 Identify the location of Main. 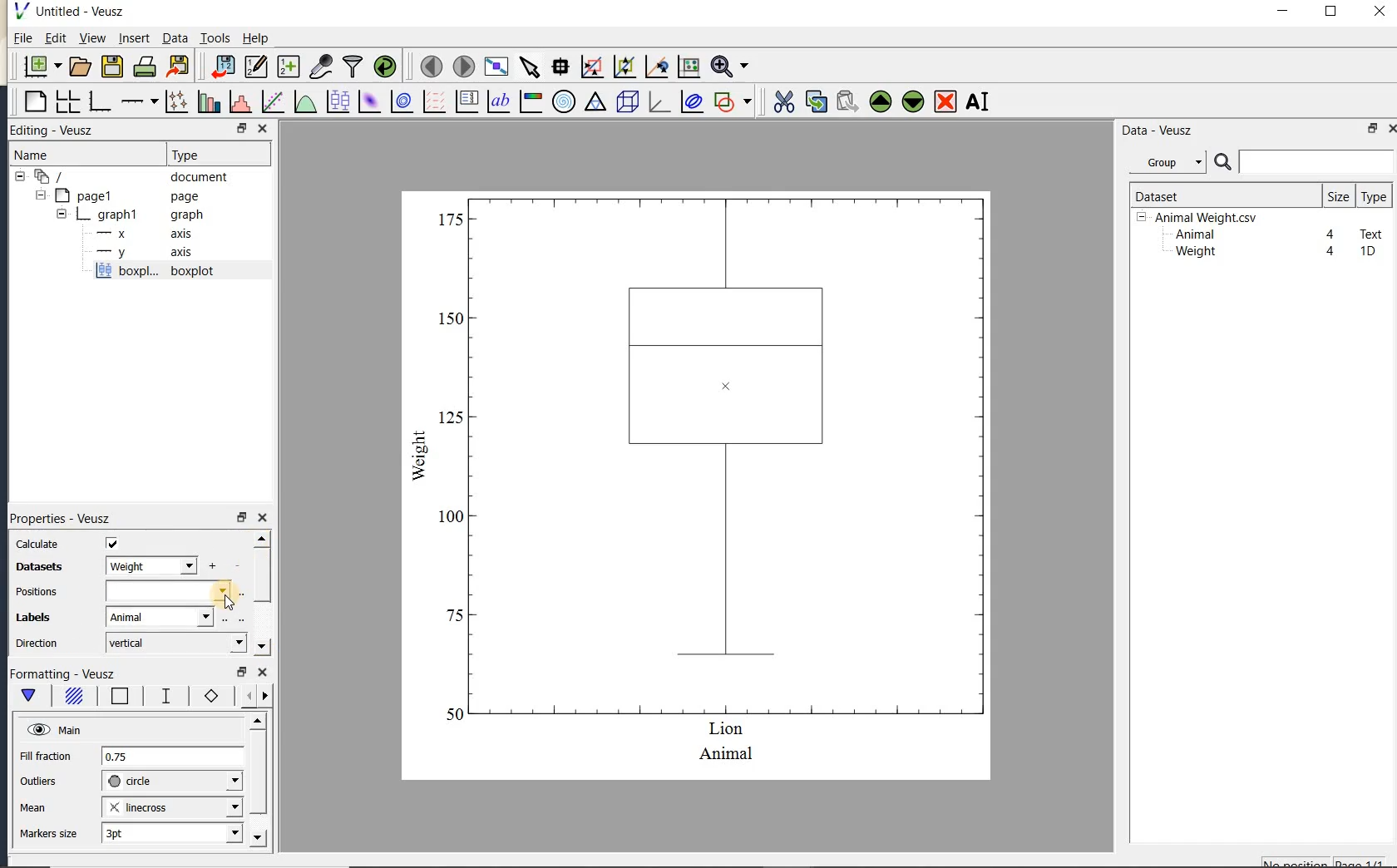
(54, 728).